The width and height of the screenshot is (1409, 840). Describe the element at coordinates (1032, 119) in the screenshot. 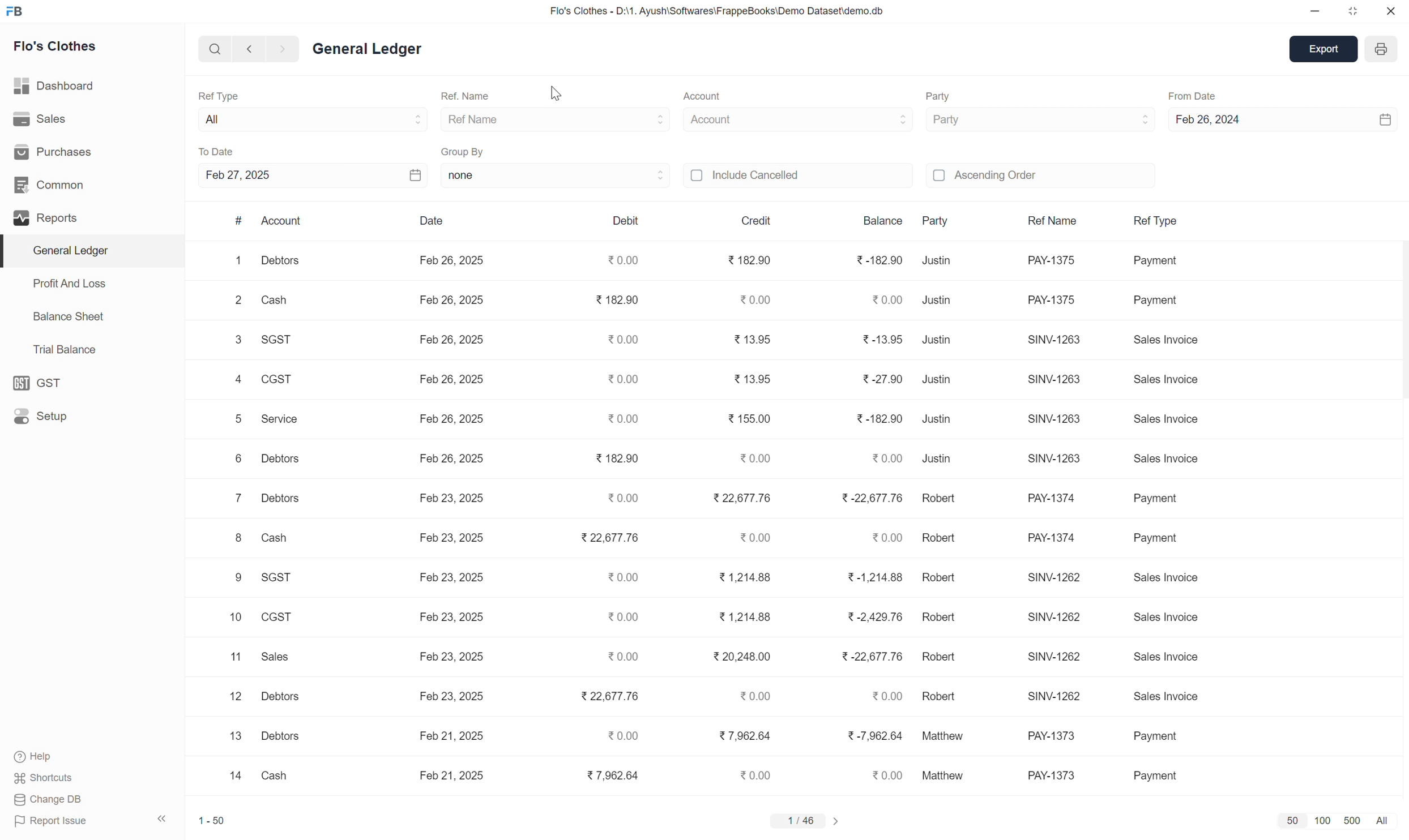

I see `Party` at that location.